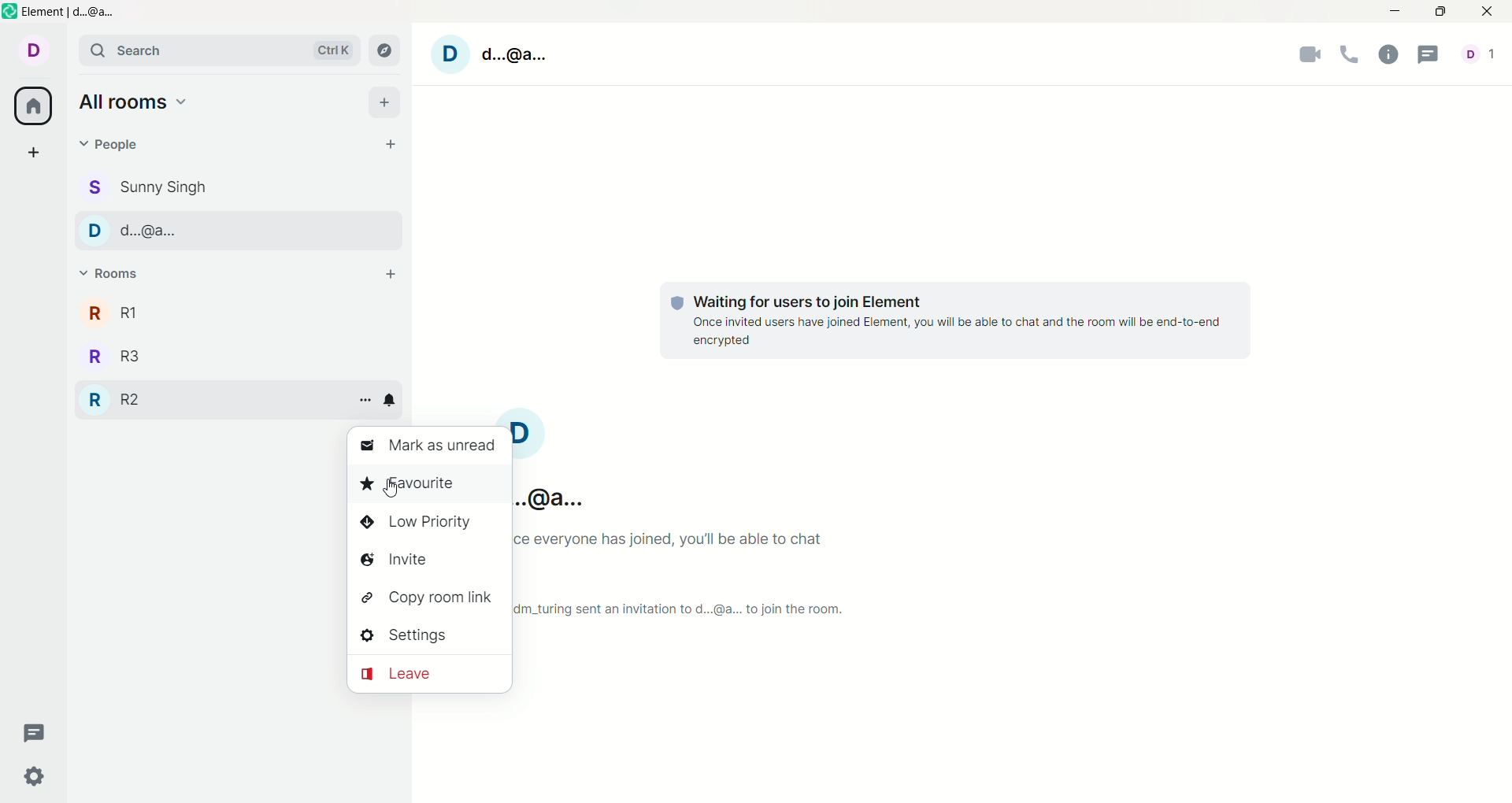 The image size is (1512, 803). I want to click on R1 room, so click(121, 313).